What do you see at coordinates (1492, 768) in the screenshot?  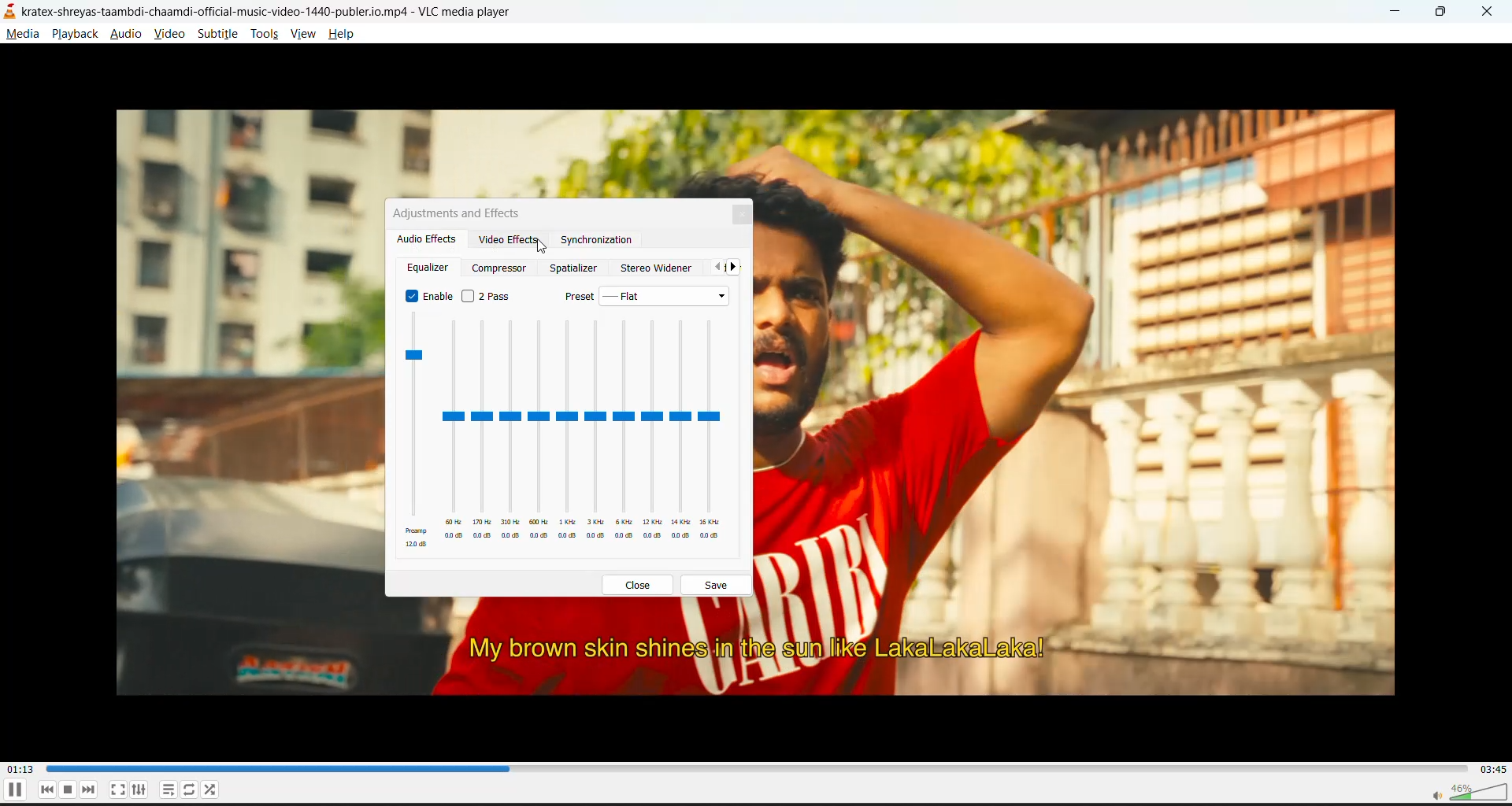 I see `total track time` at bounding box center [1492, 768].